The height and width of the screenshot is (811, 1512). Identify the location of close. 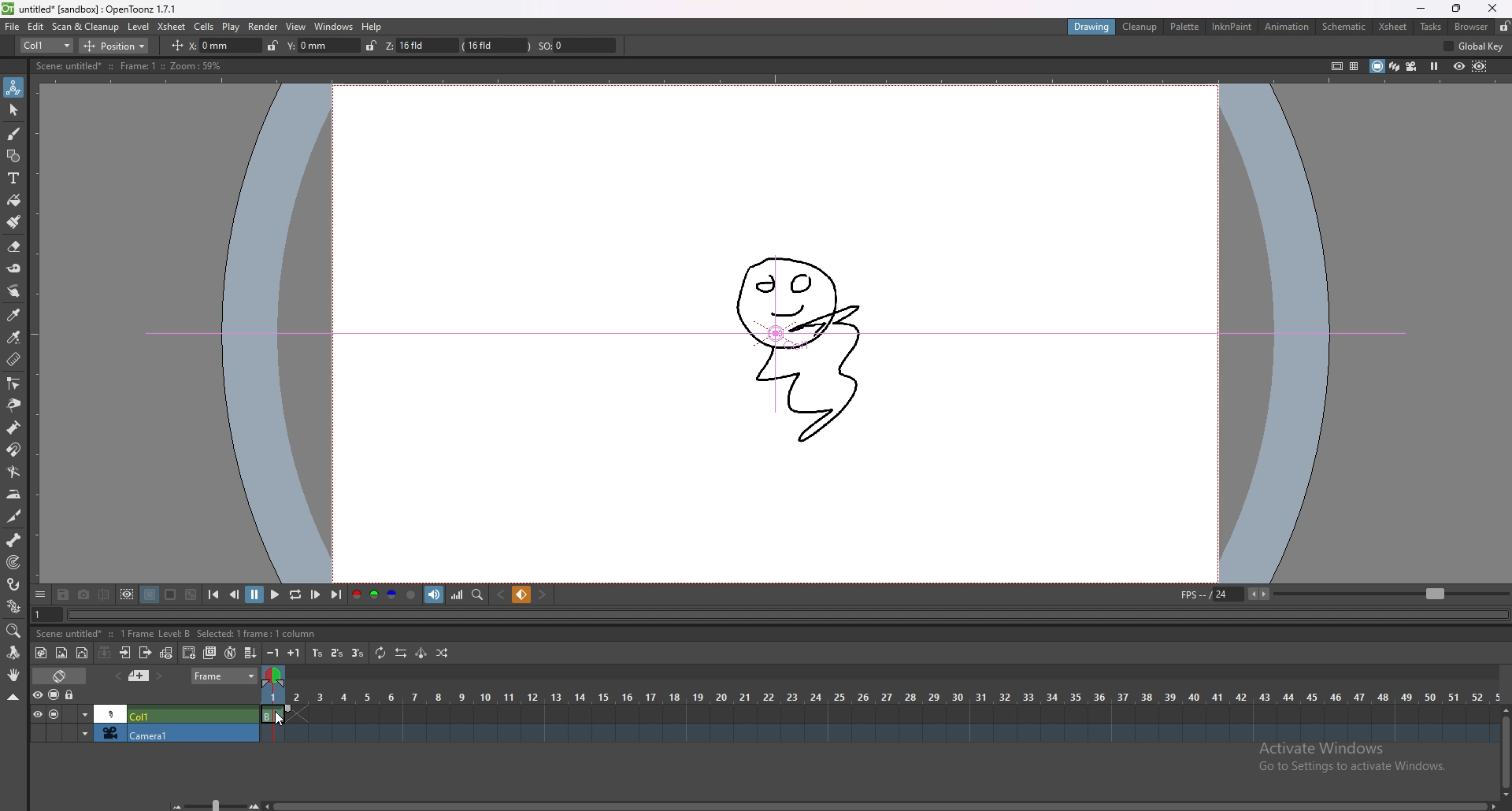
(1491, 9).